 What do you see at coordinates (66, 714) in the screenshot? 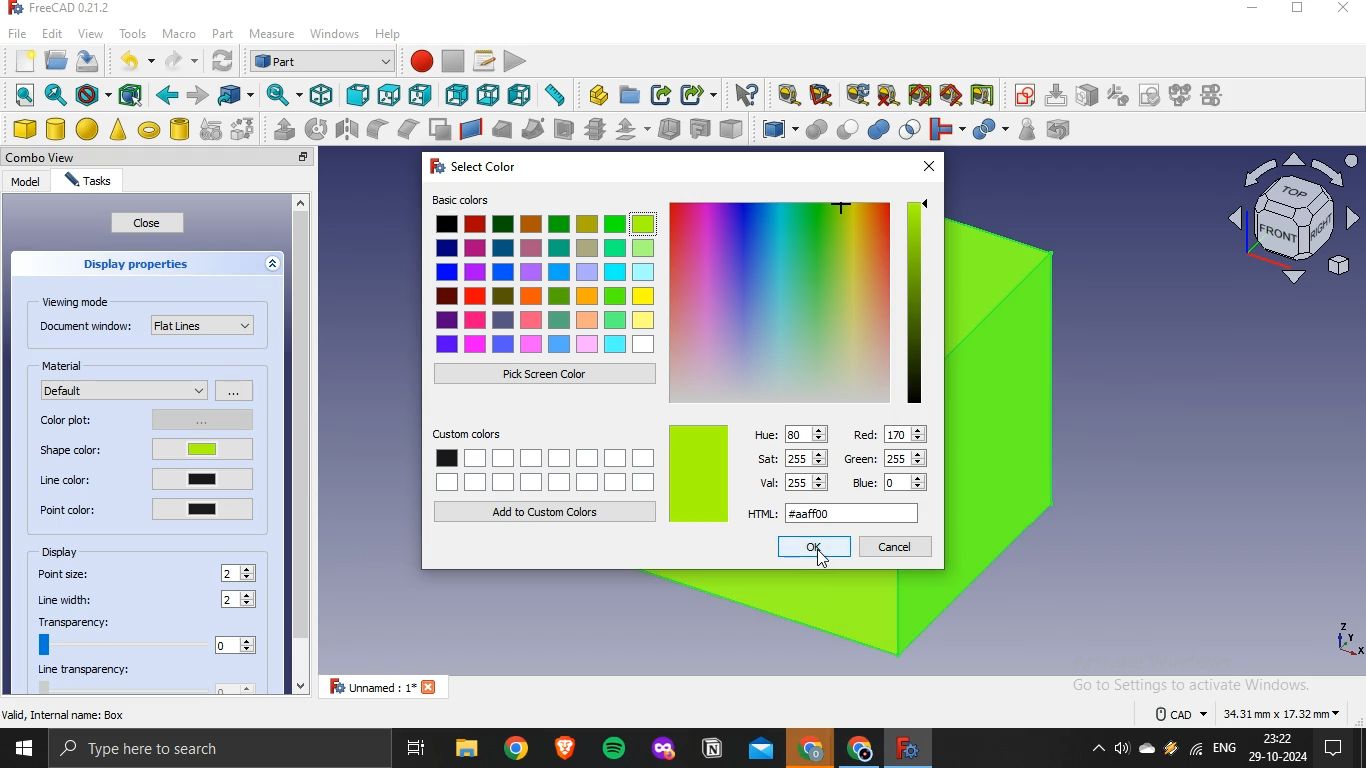
I see `text` at bounding box center [66, 714].